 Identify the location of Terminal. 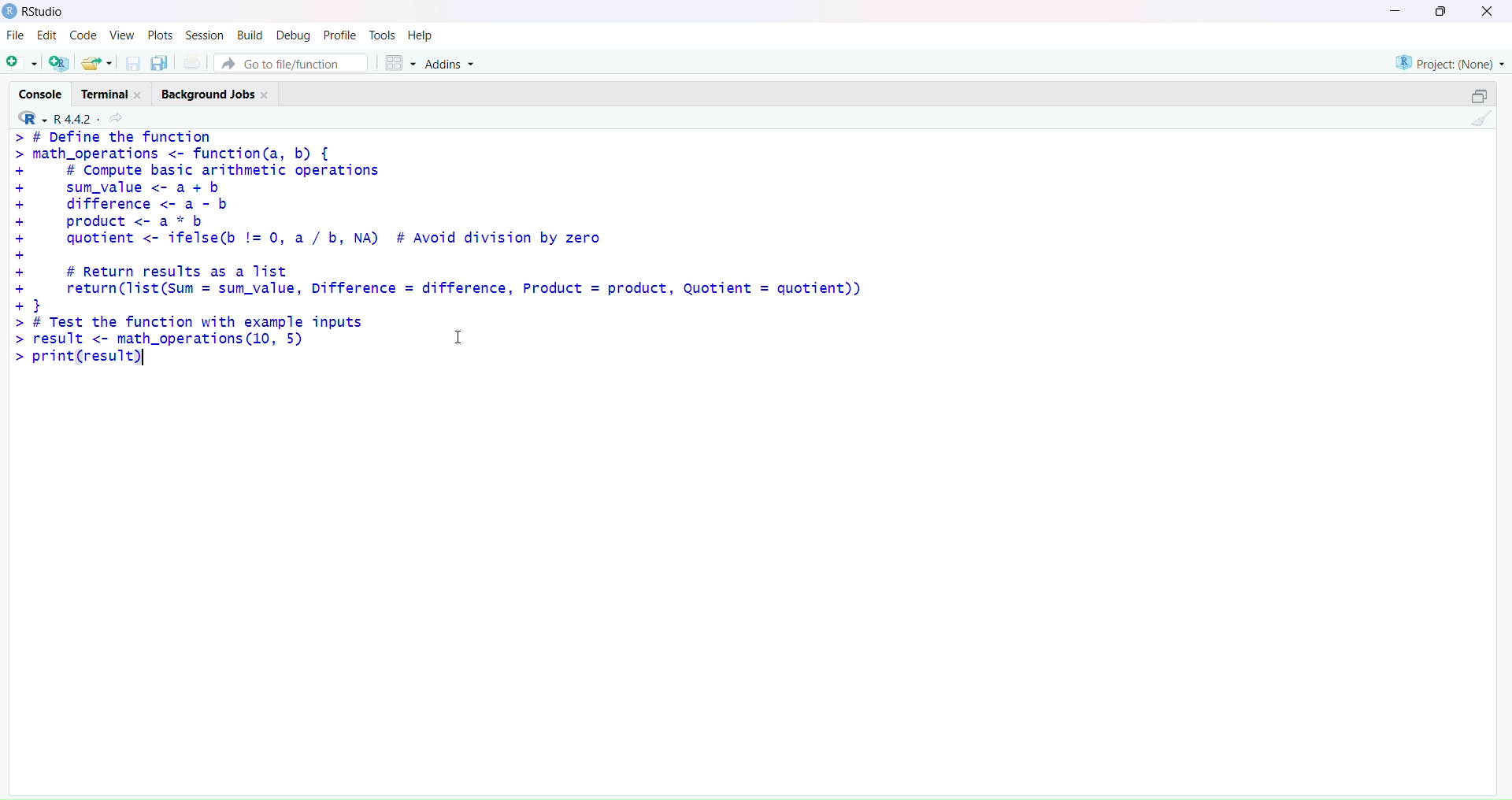
(116, 91).